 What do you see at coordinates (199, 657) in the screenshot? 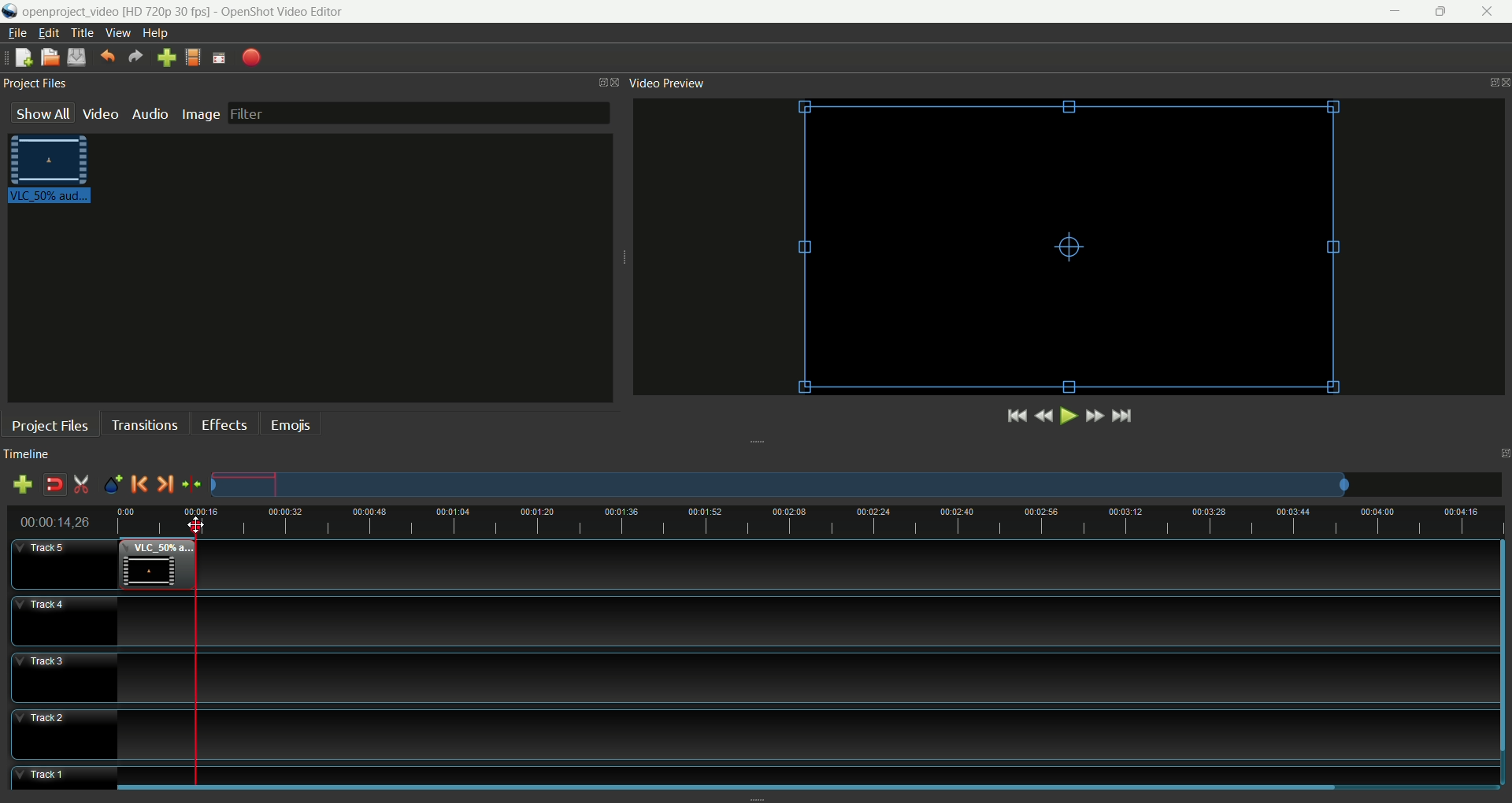
I see `playhead` at bounding box center [199, 657].